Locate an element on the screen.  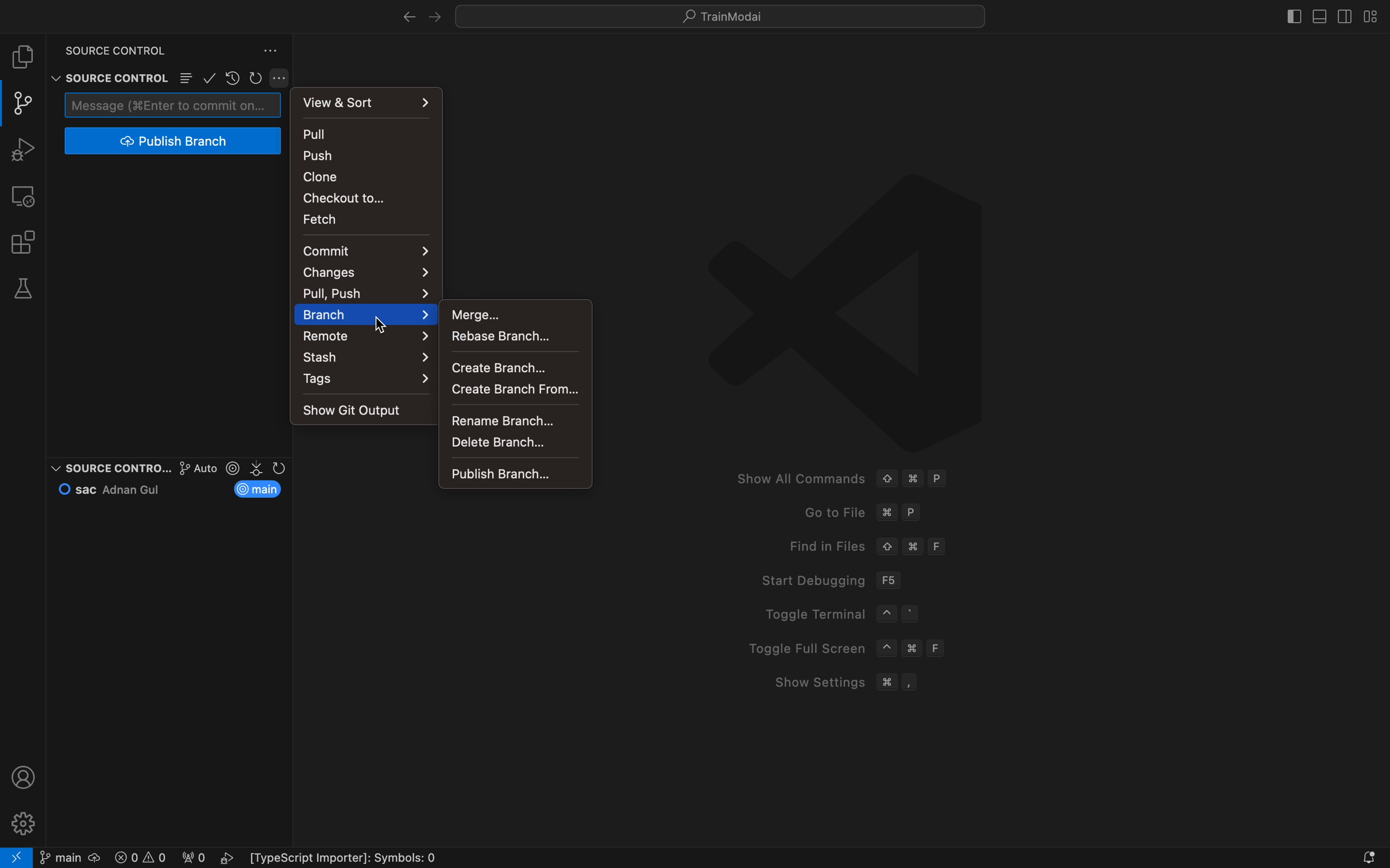
fetch  is located at coordinates (357, 219).